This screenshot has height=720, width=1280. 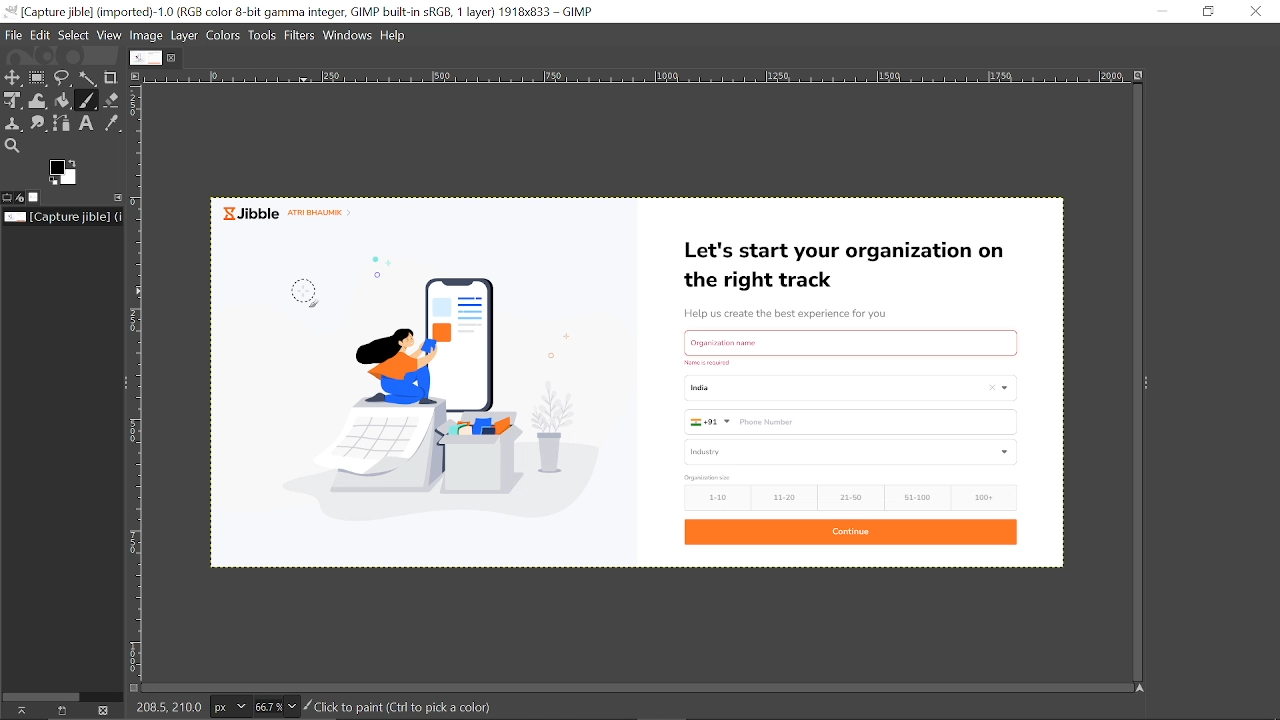 What do you see at coordinates (37, 197) in the screenshot?
I see `Images` at bounding box center [37, 197].